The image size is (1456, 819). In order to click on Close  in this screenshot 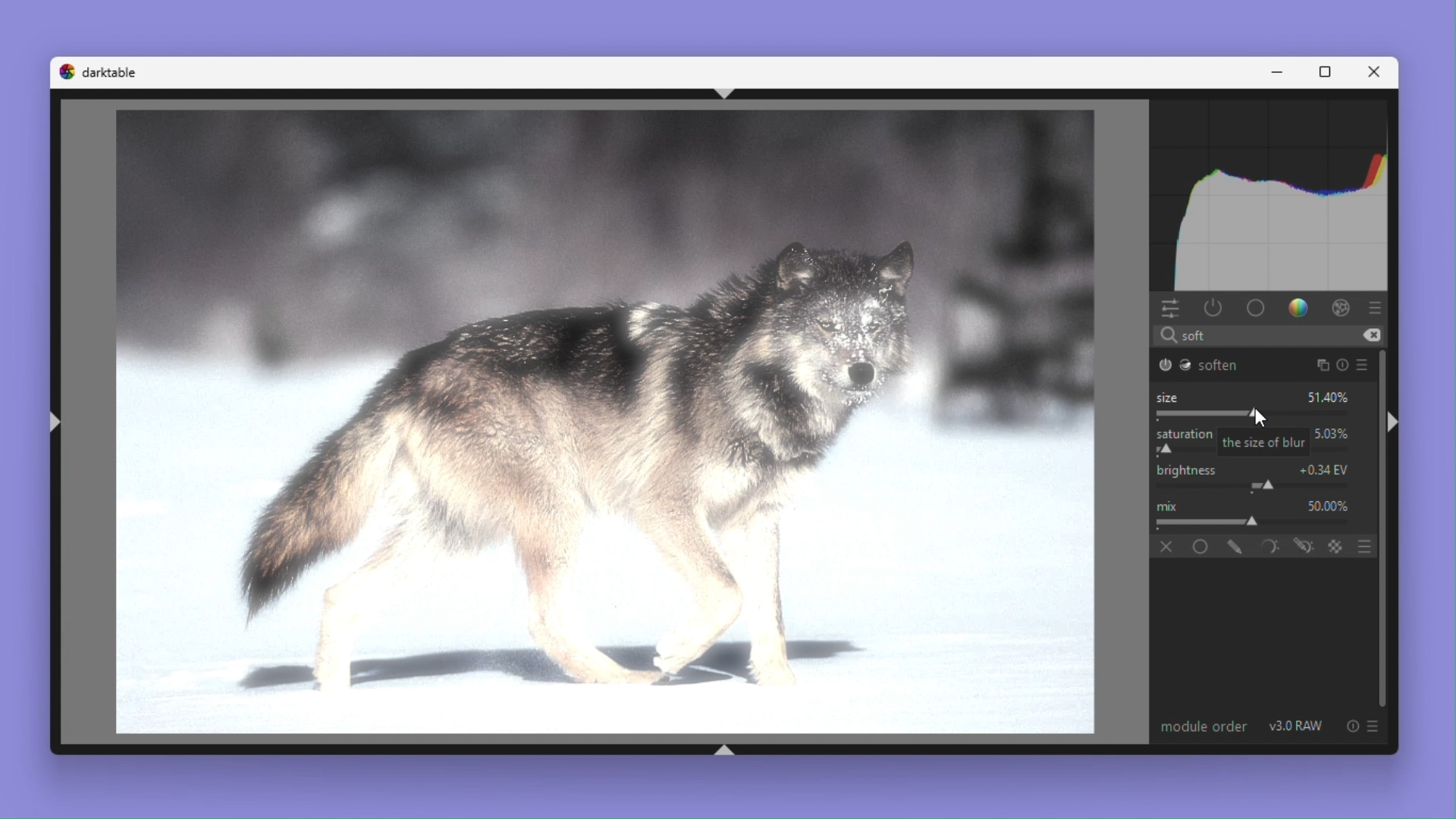, I will do `click(1379, 71)`.